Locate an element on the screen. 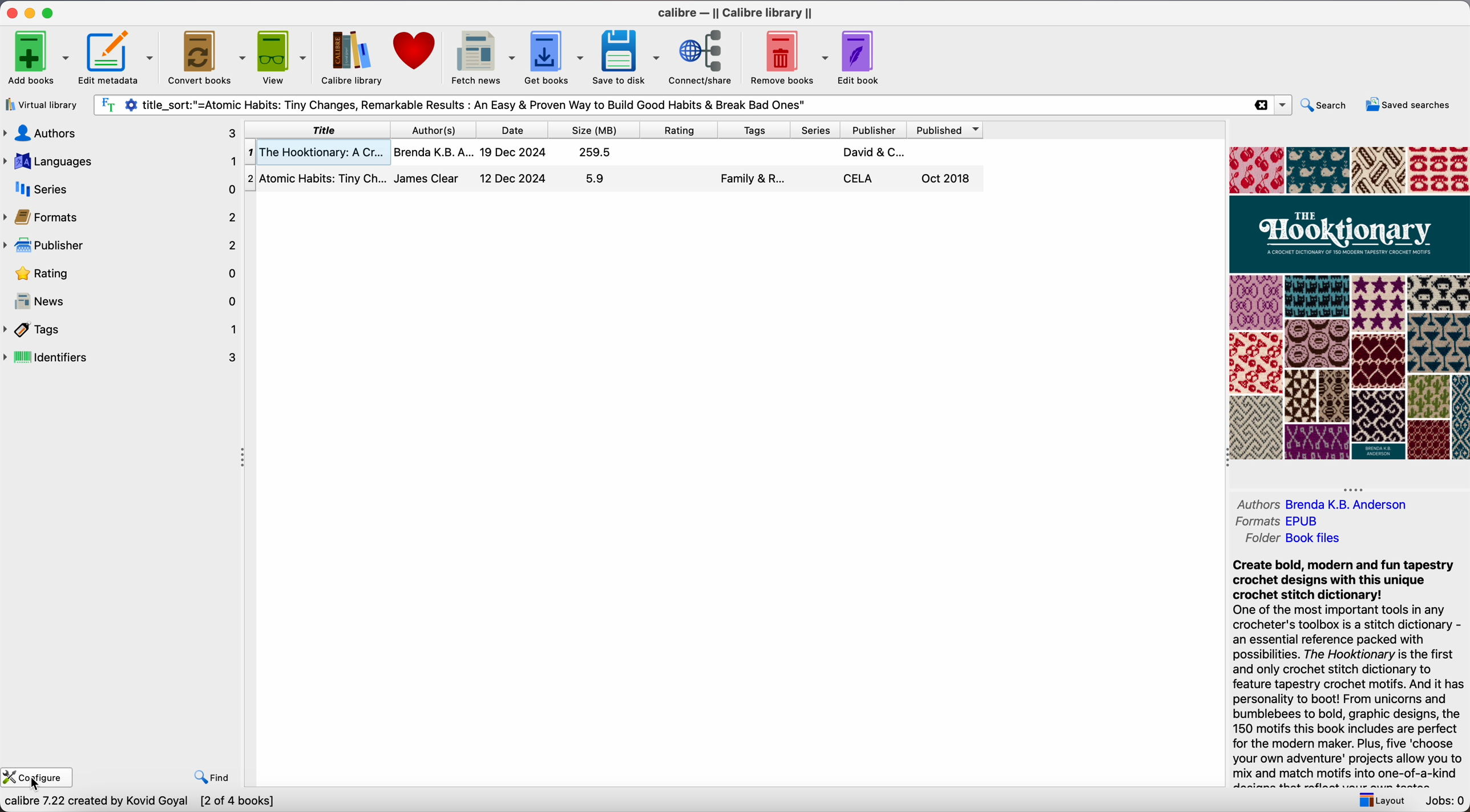  publisher is located at coordinates (120, 245).